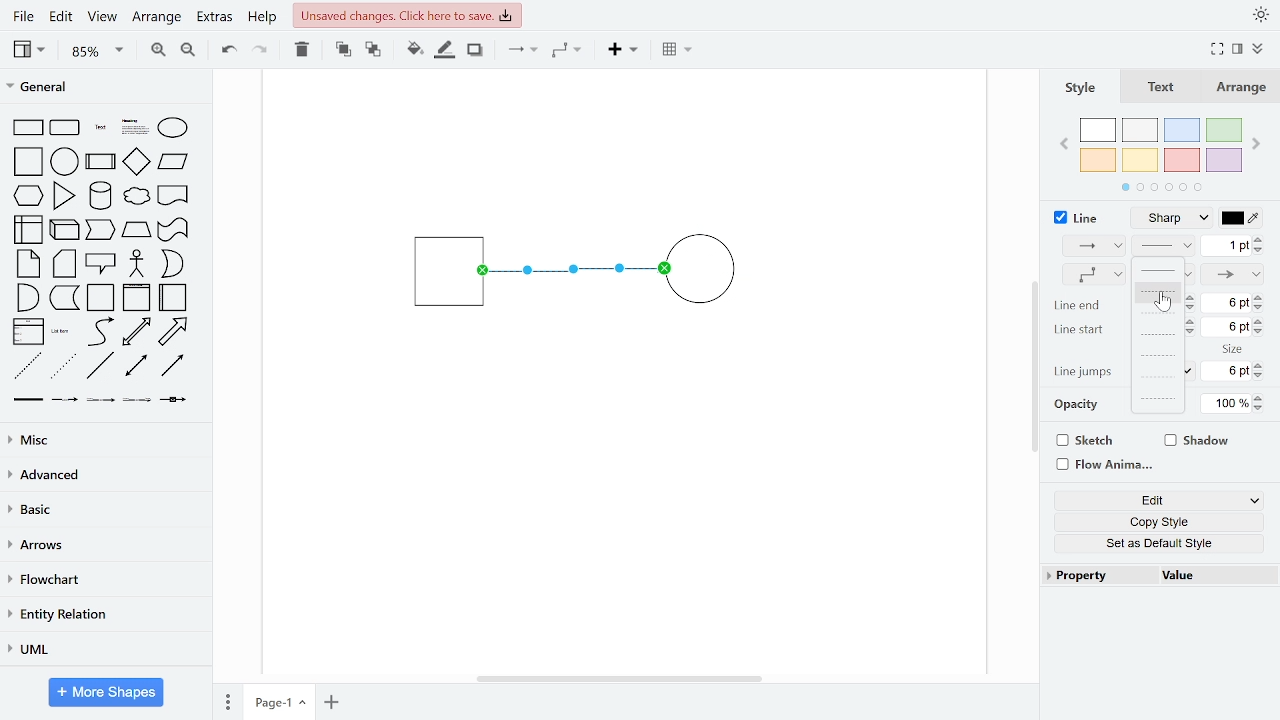  What do you see at coordinates (172, 365) in the screenshot?
I see `directional connector` at bounding box center [172, 365].